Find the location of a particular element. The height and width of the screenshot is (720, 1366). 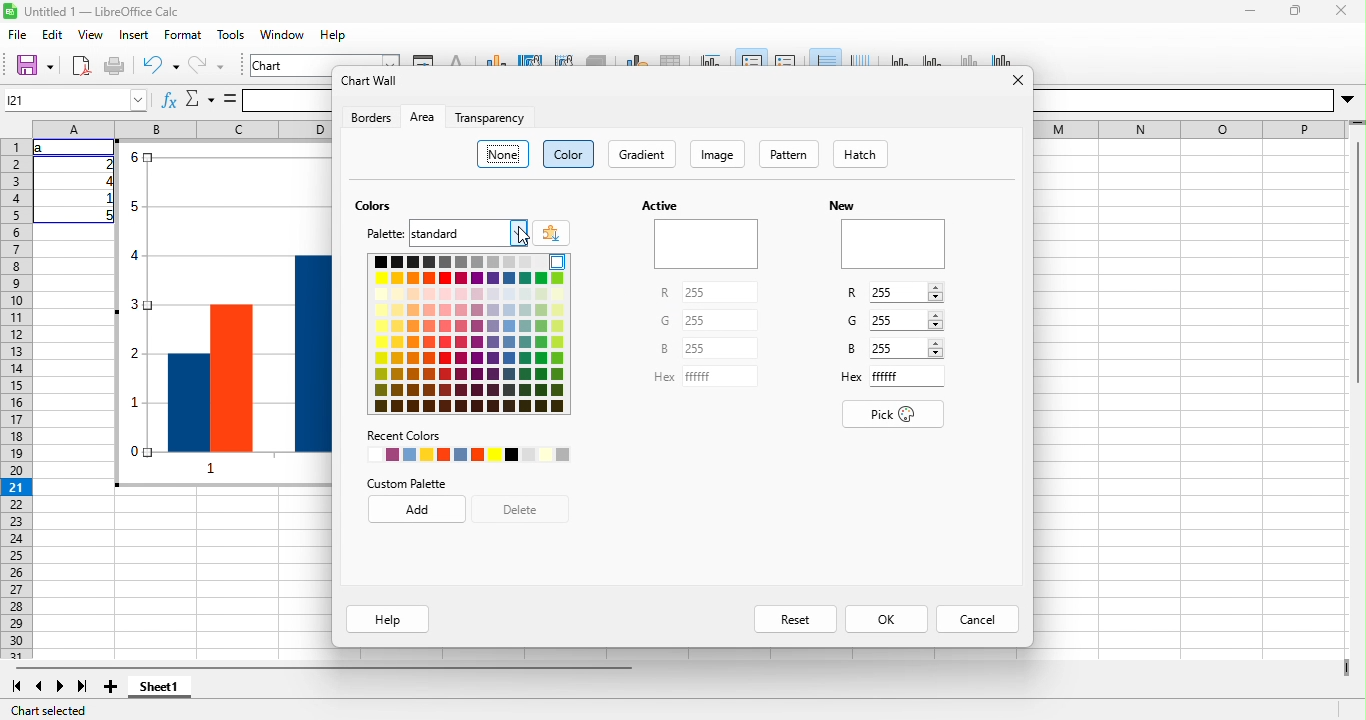

cursor movement is located at coordinates (524, 235).